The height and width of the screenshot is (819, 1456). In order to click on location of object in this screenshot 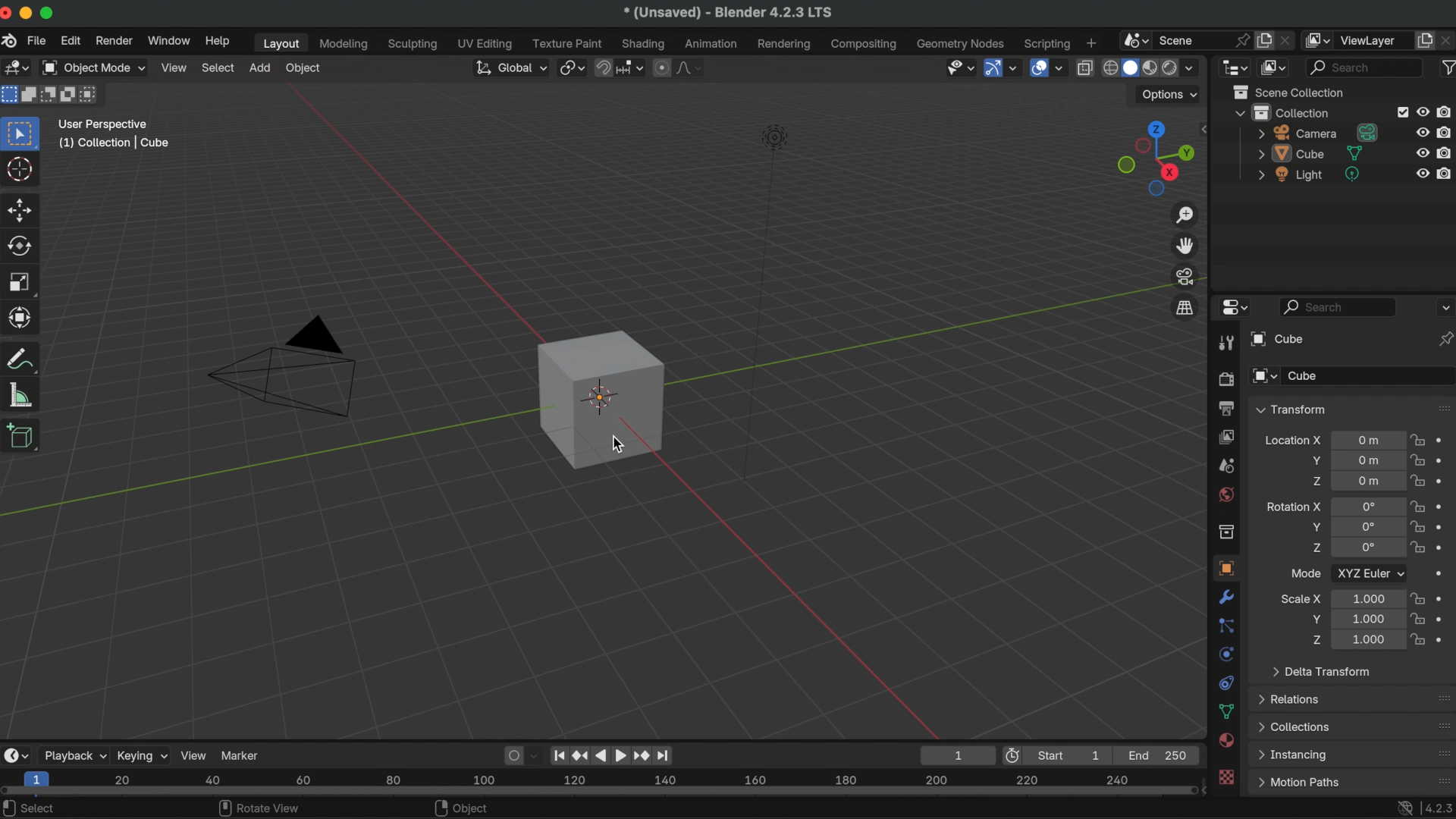, I will do `click(1369, 440)`.